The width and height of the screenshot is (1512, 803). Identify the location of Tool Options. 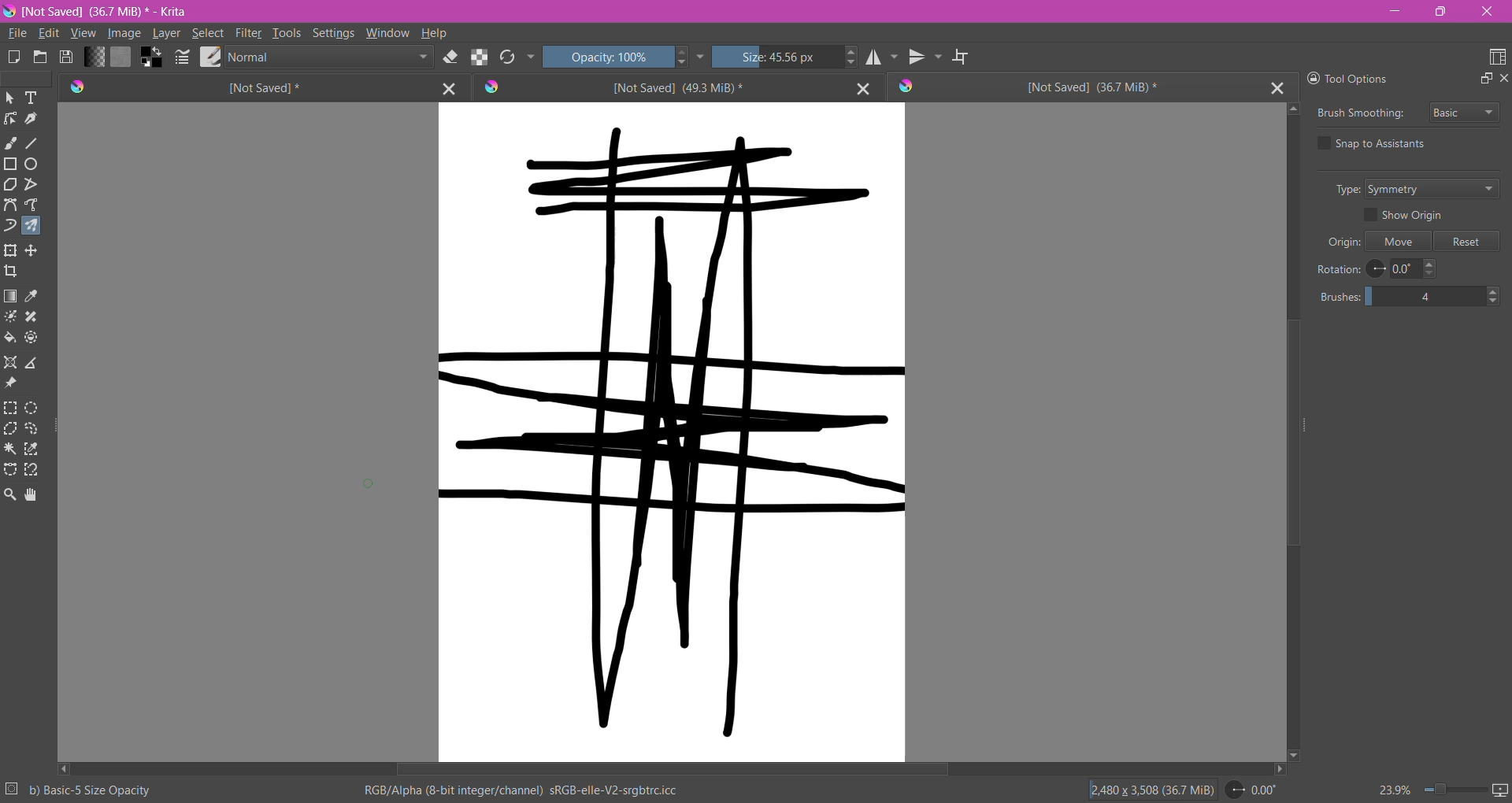
(1358, 77).